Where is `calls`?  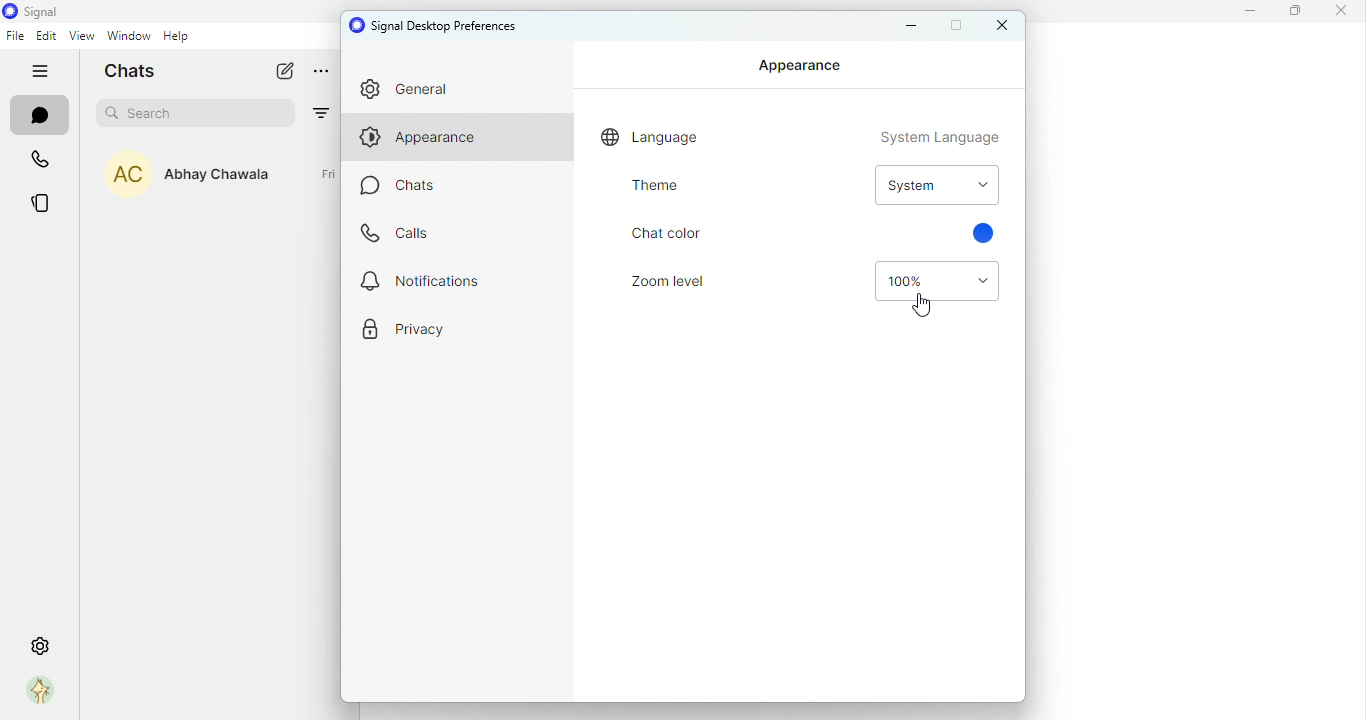
calls is located at coordinates (42, 160).